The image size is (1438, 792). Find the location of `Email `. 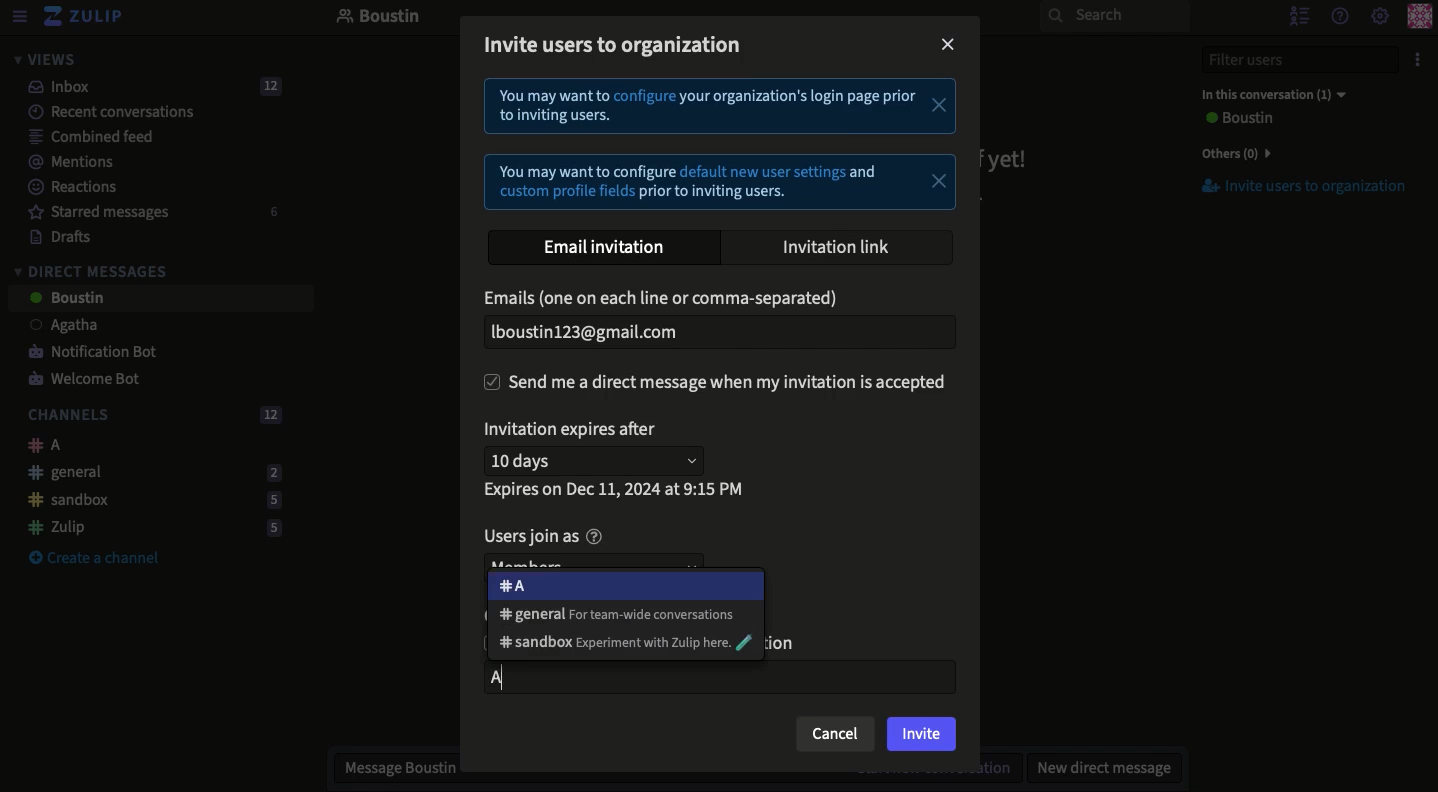

Email  is located at coordinates (666, 299).